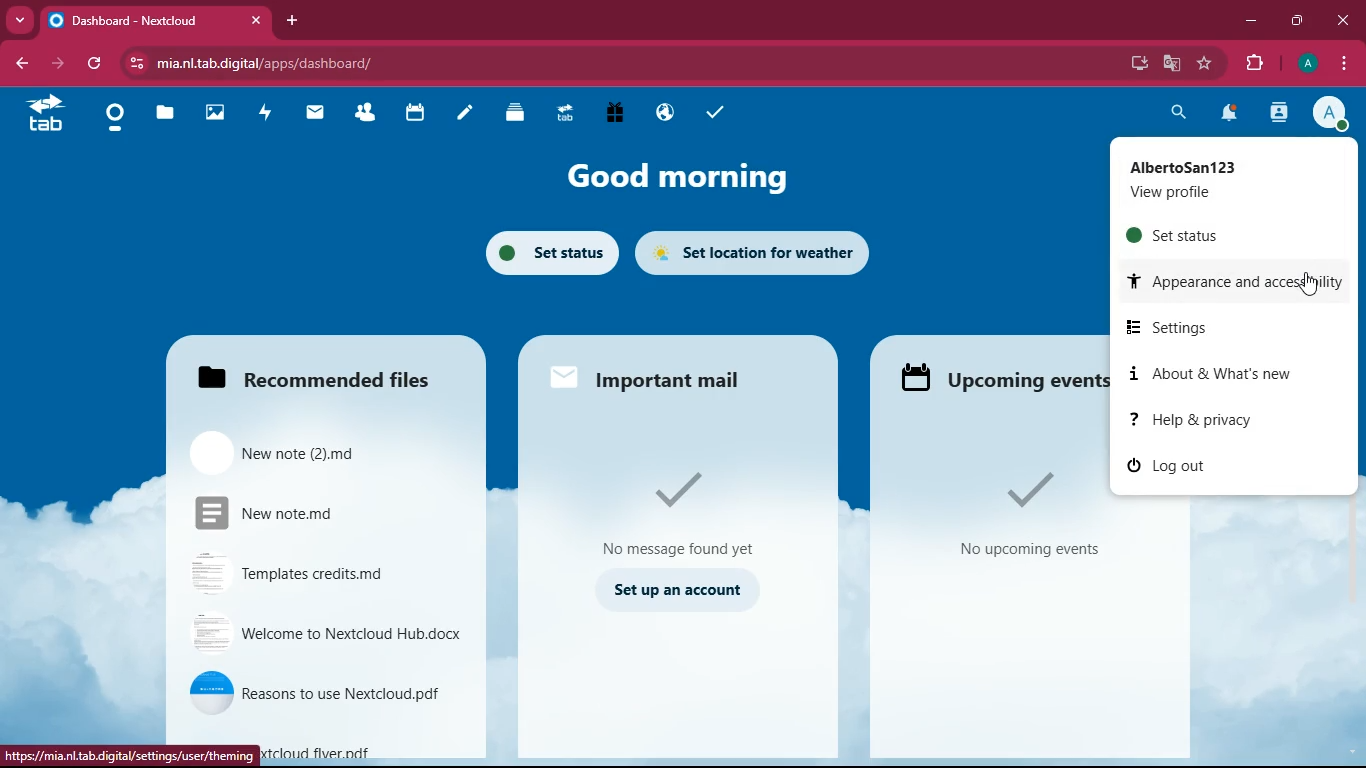 The width and height of the screenshot is (1366, 768). What do you see at coordinates (164, 115) in the screenshot?
I see `files` at bounding box center [164, 115].